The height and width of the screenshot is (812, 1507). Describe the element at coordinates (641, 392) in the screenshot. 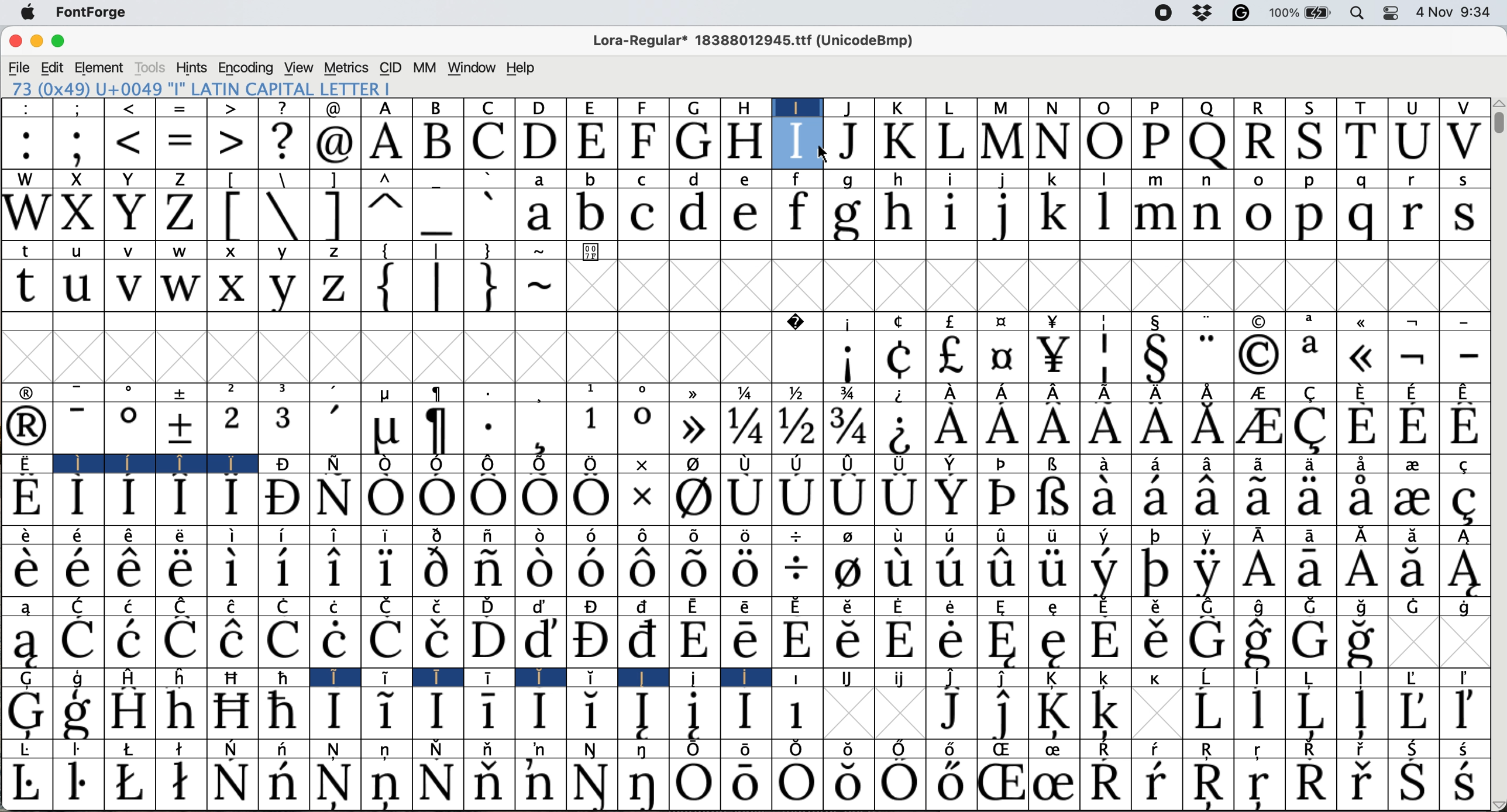

I see `o` at that location.